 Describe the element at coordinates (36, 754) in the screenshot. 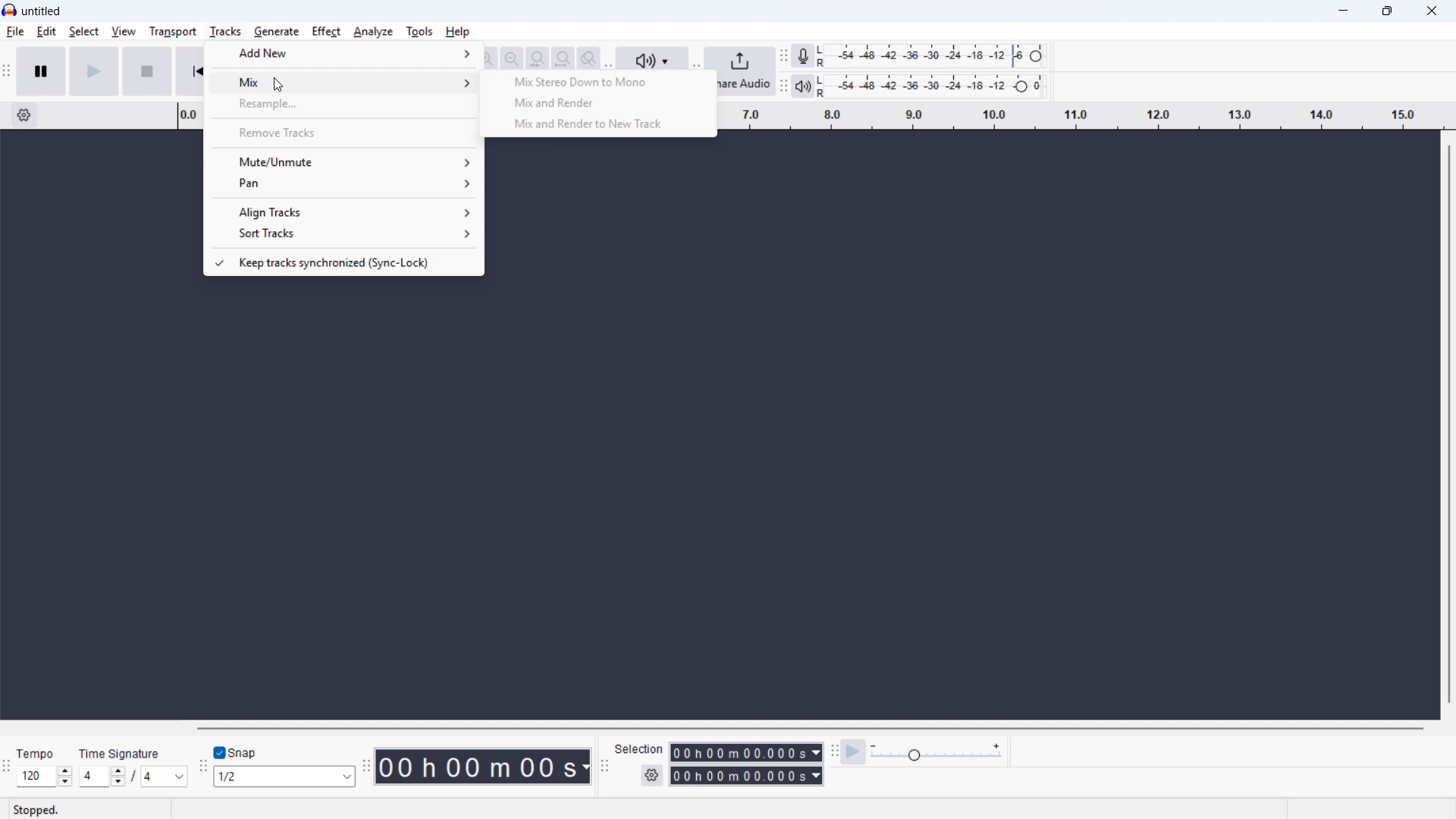

I see `tempo` at that location.